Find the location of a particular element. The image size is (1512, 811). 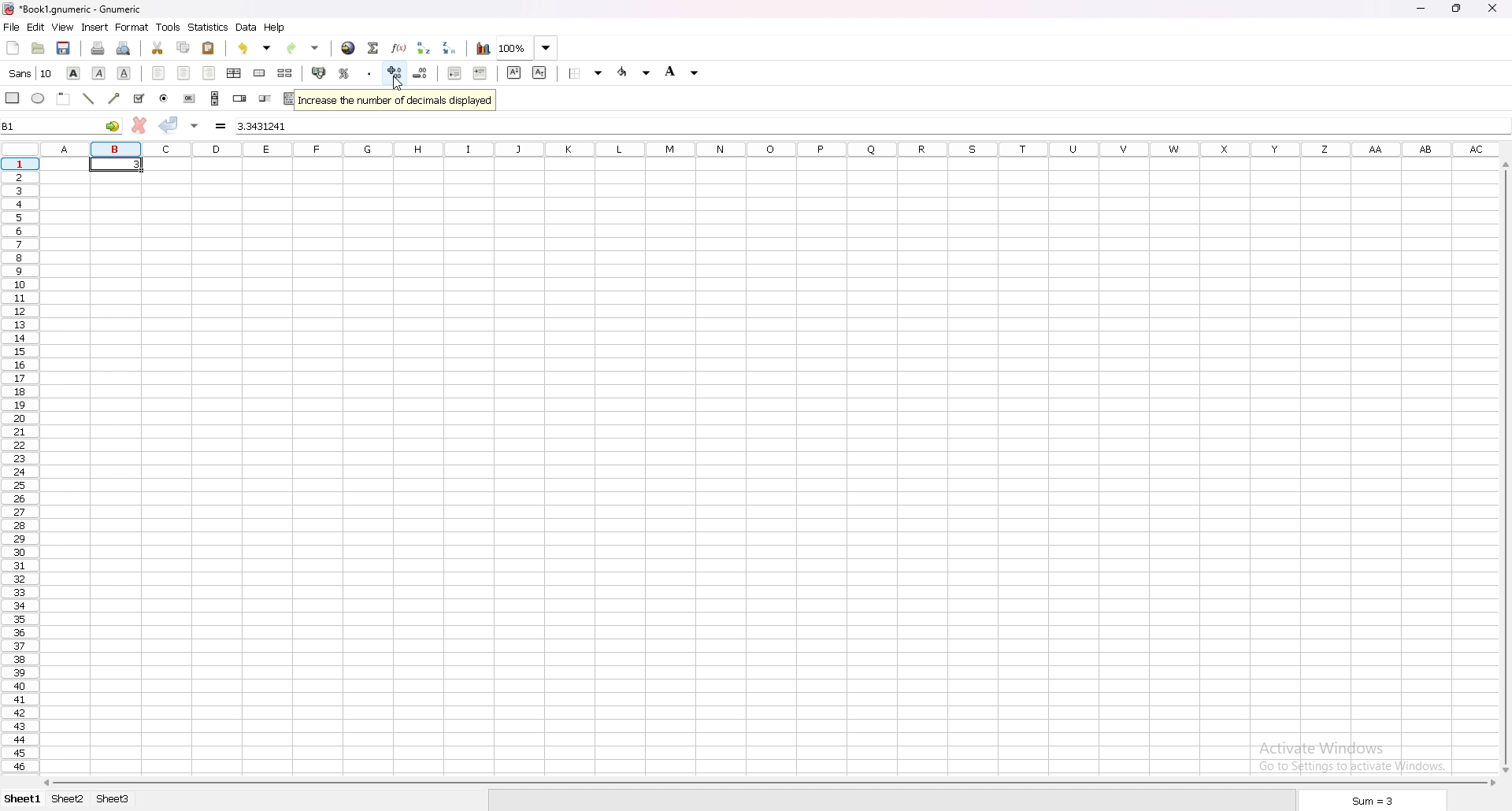

centre horizontally is located at coordinates (235, 72).